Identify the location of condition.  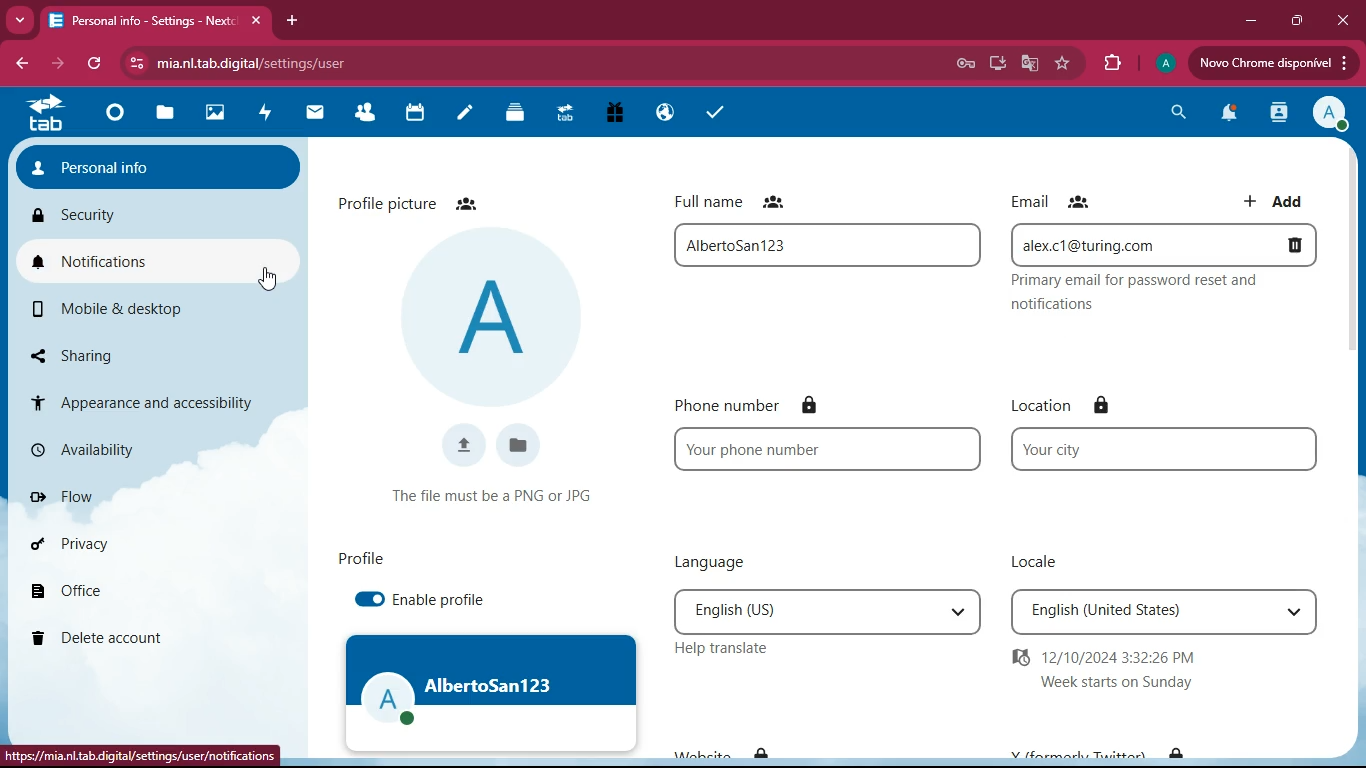
(499, 496).